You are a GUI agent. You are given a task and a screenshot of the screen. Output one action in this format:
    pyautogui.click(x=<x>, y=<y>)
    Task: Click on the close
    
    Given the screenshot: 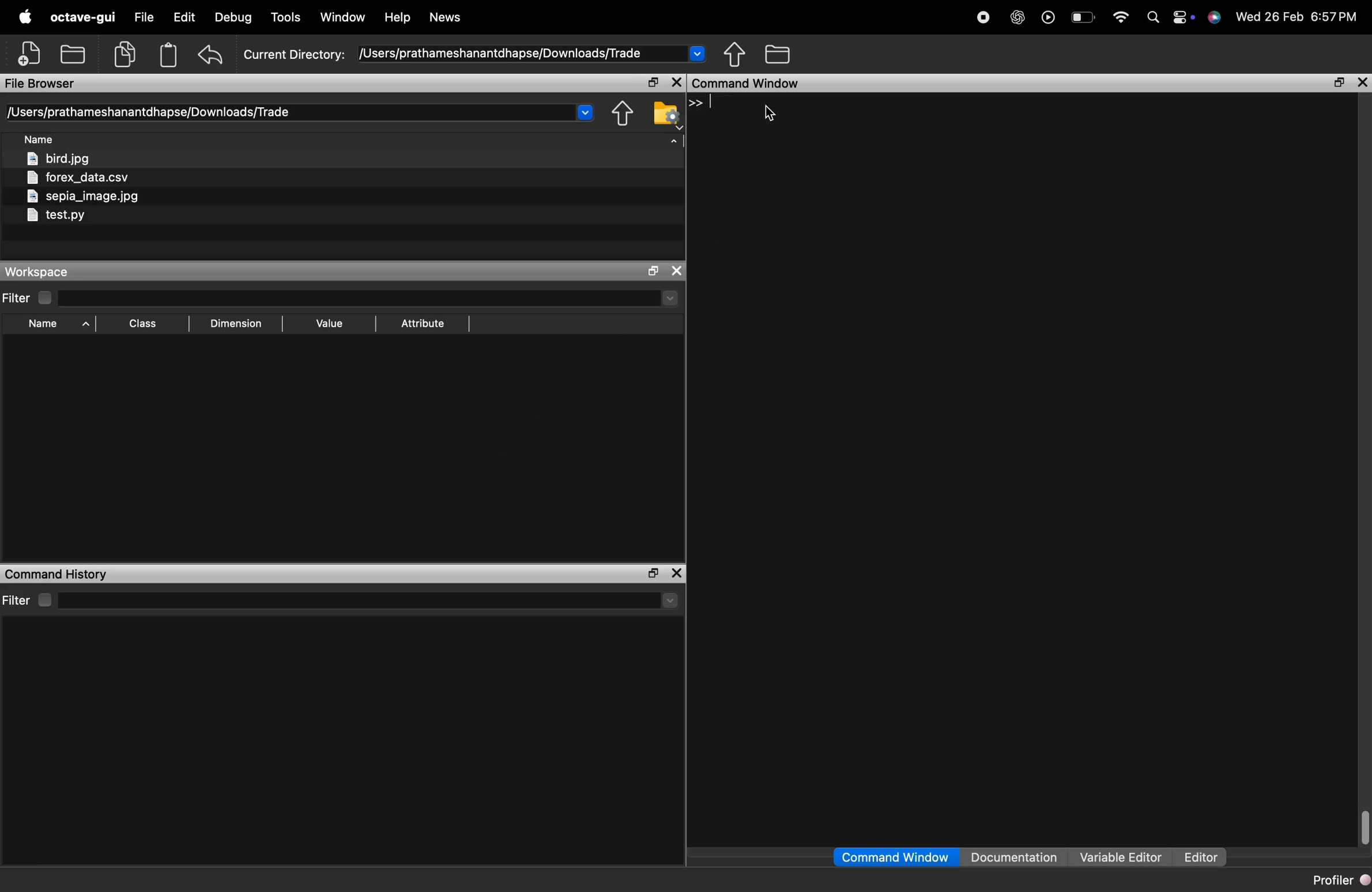 What is the action you would take?
    pyautogui.click(x=674, y=82)
    